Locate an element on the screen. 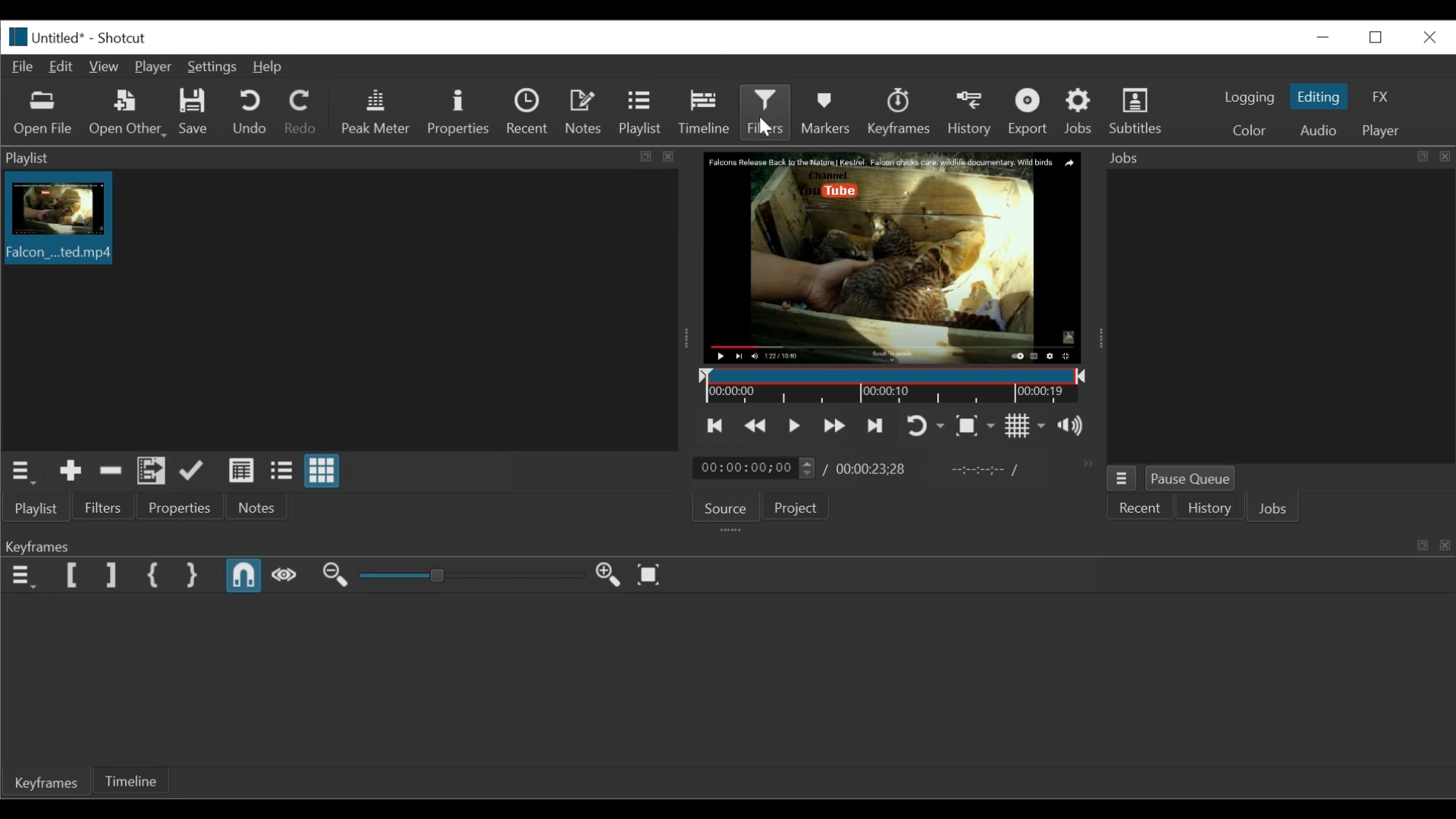  Play forward quickly is located at coordinates (831, 426).